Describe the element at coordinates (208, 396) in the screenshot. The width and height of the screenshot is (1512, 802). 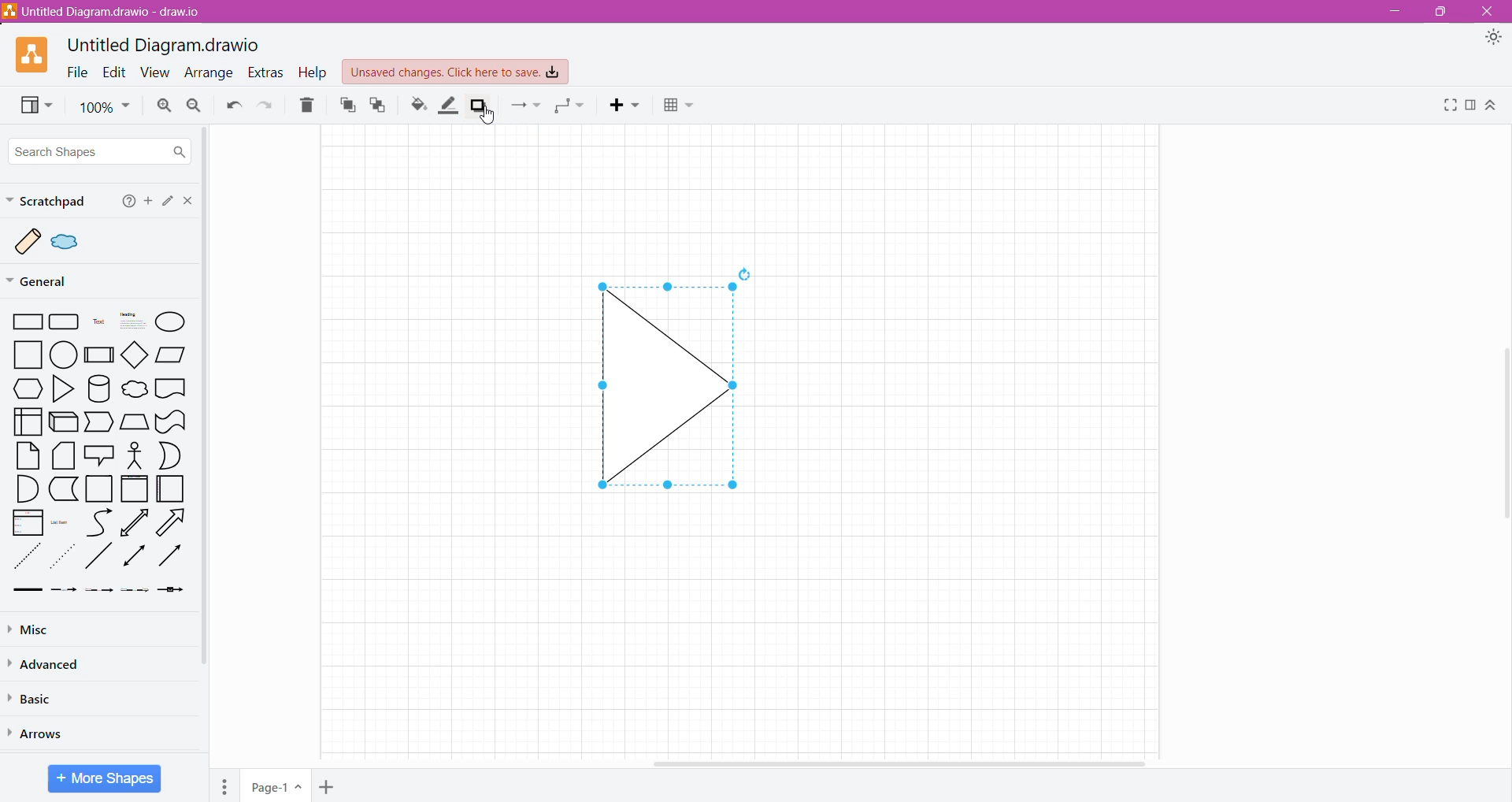
I see `Vertical Scroll Bar` at that location.